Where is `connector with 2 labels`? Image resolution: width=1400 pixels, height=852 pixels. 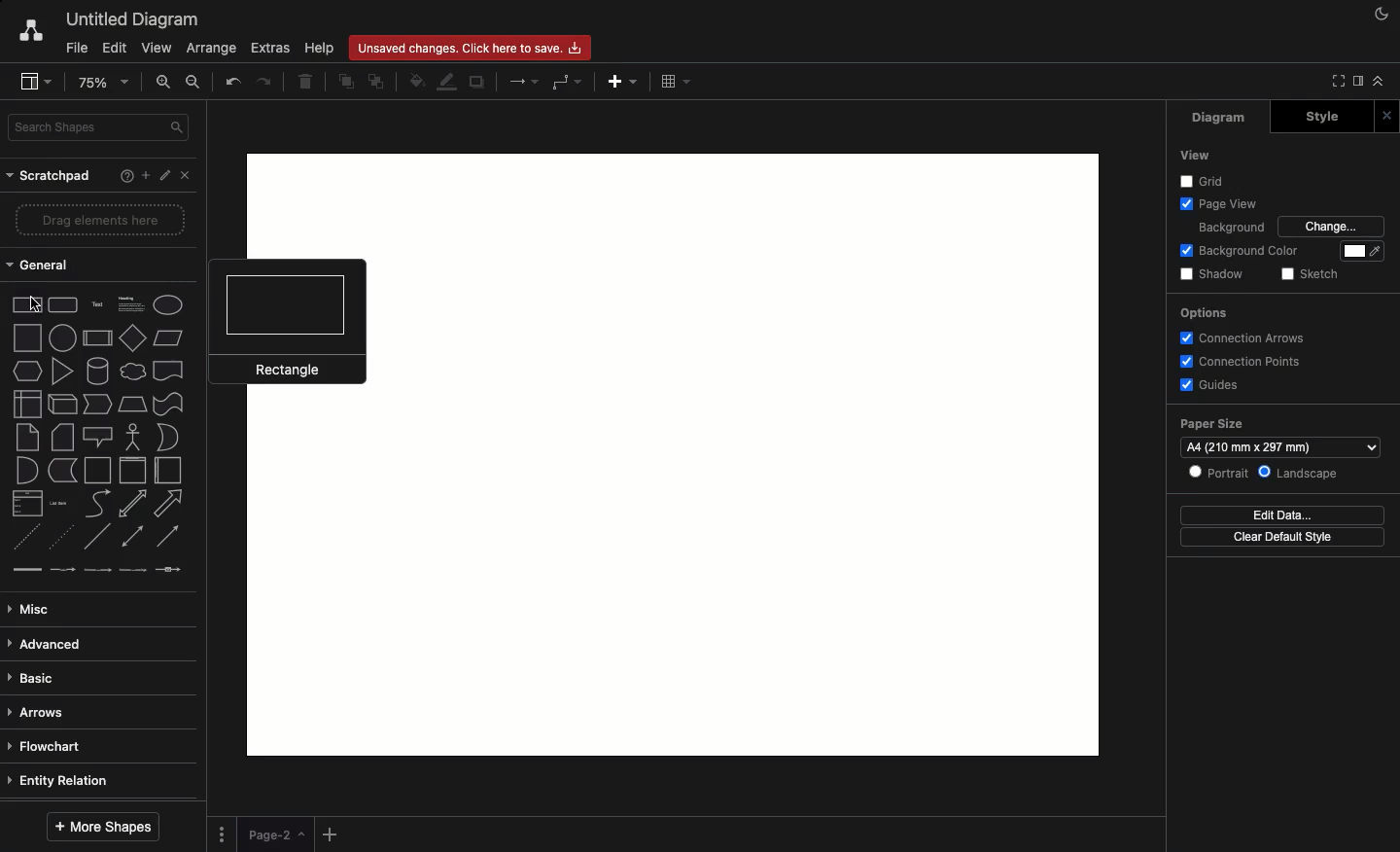 connector with 2 labels is located at coordinates (97, 571).